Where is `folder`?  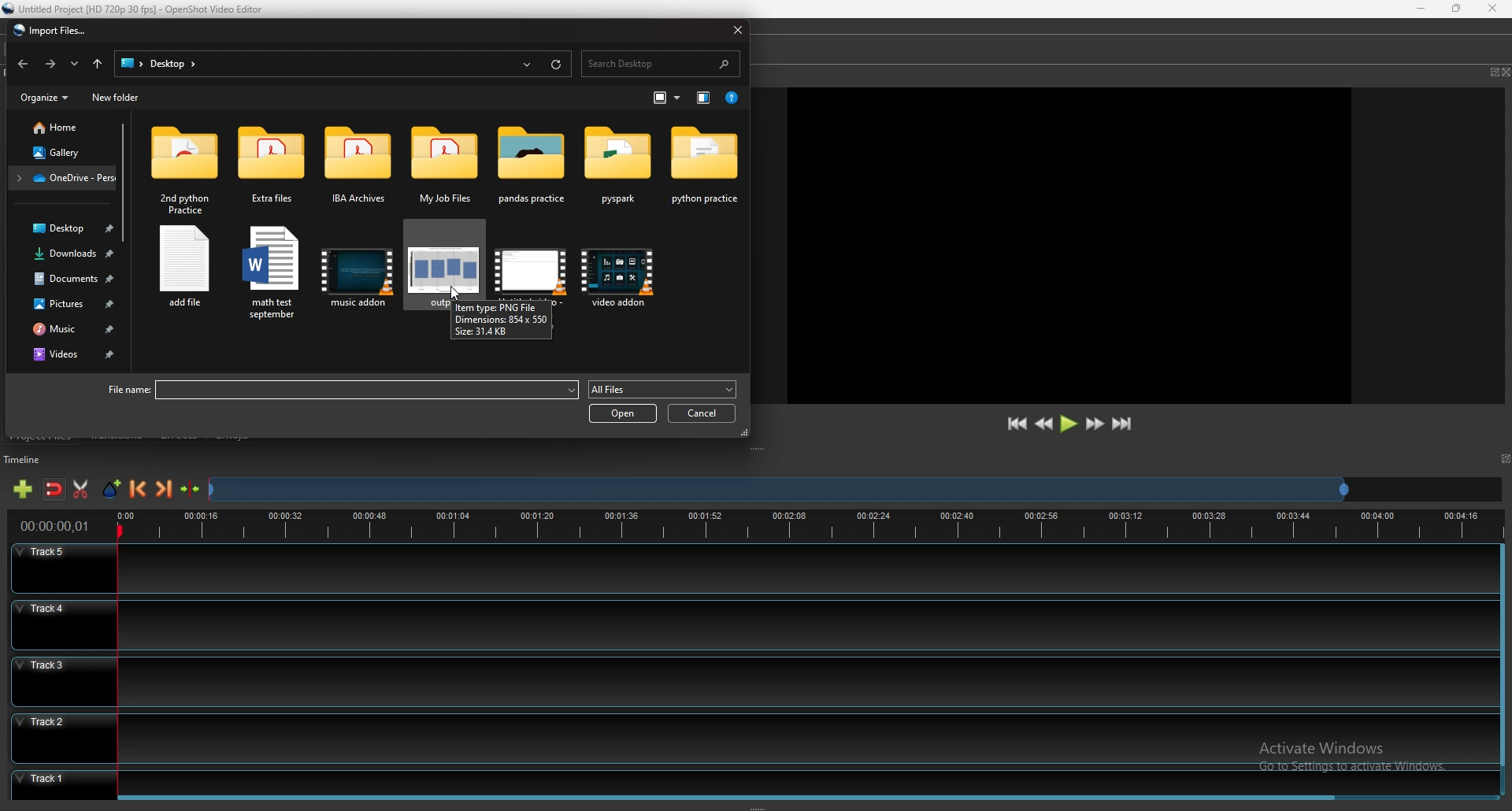
folder is located at coordinates (185, 168).